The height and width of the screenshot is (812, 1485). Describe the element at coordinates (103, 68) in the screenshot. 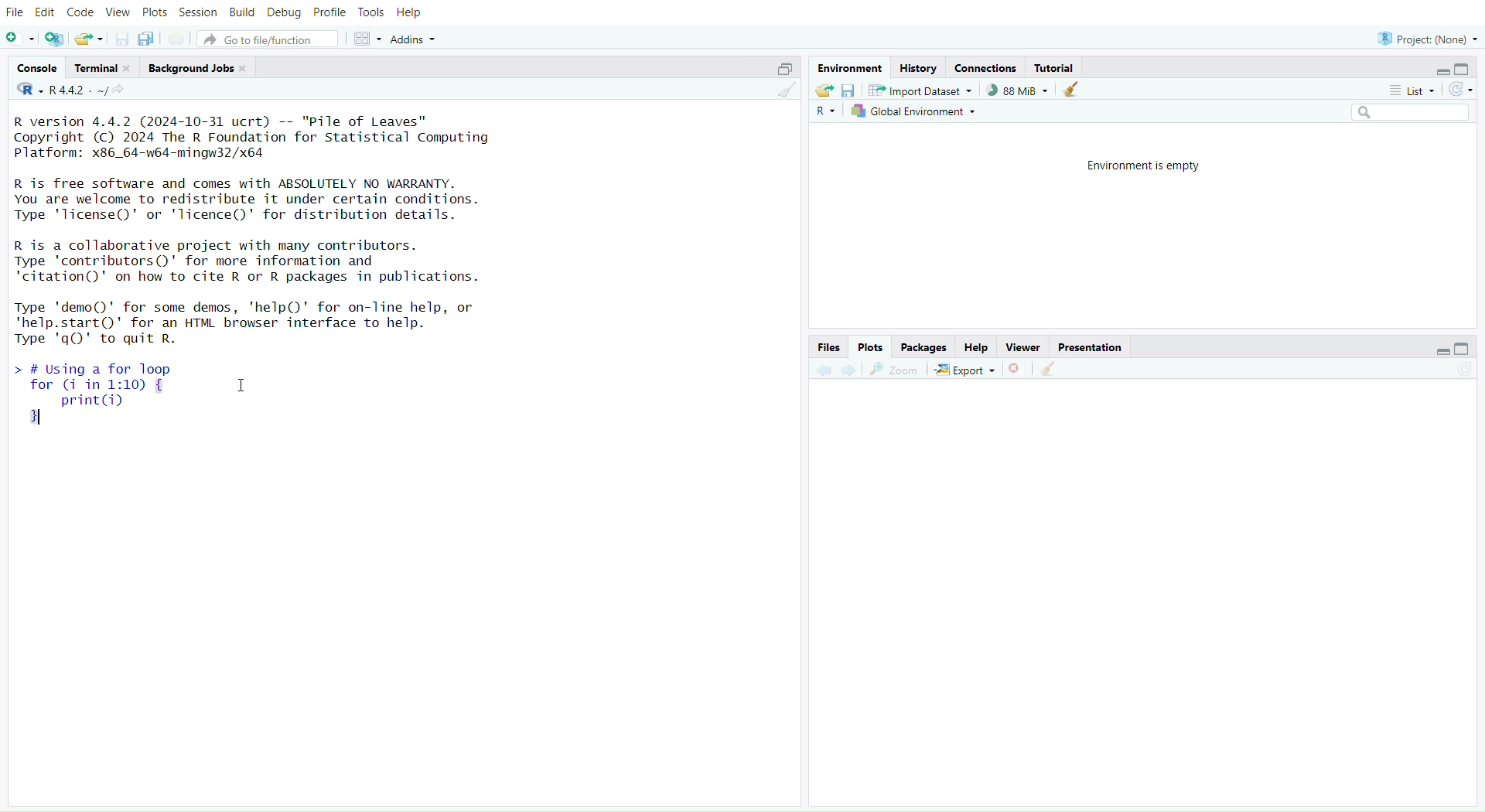

I see `terminal` at that location.